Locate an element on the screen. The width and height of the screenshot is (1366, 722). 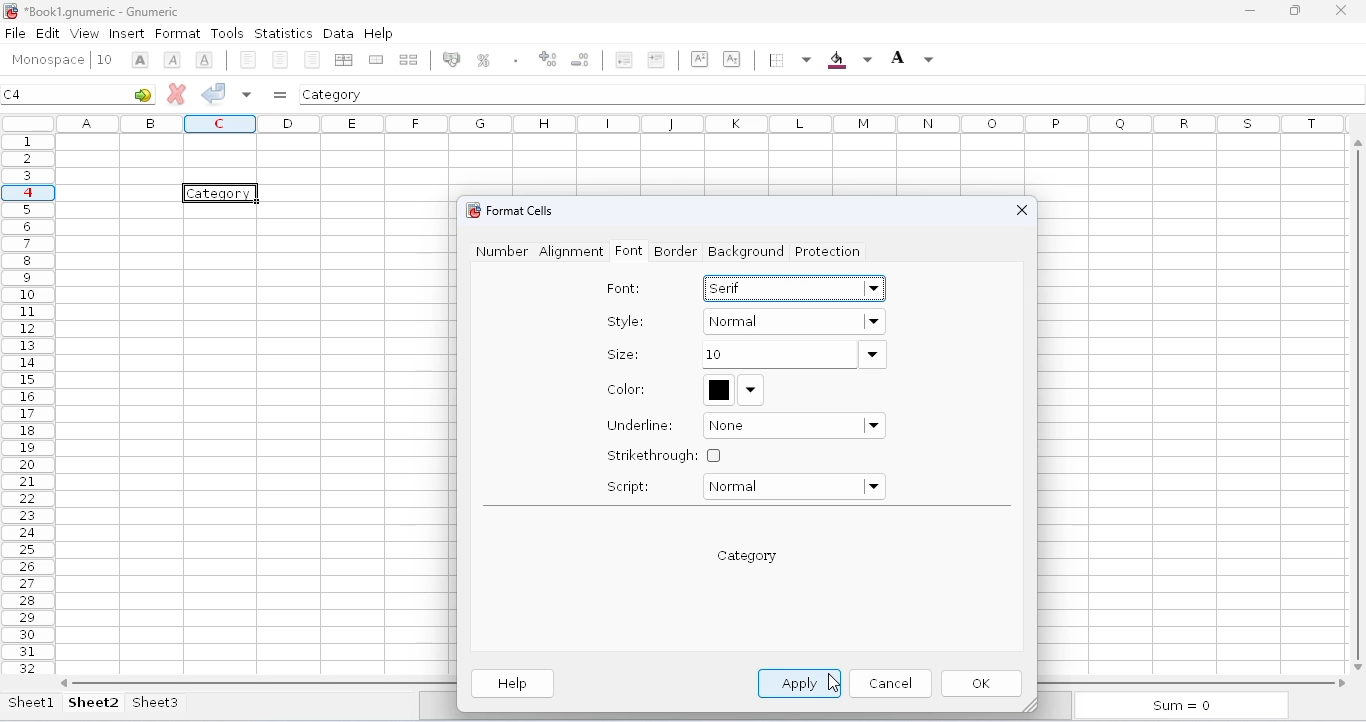
accept change is located at coordinates (214, 92).